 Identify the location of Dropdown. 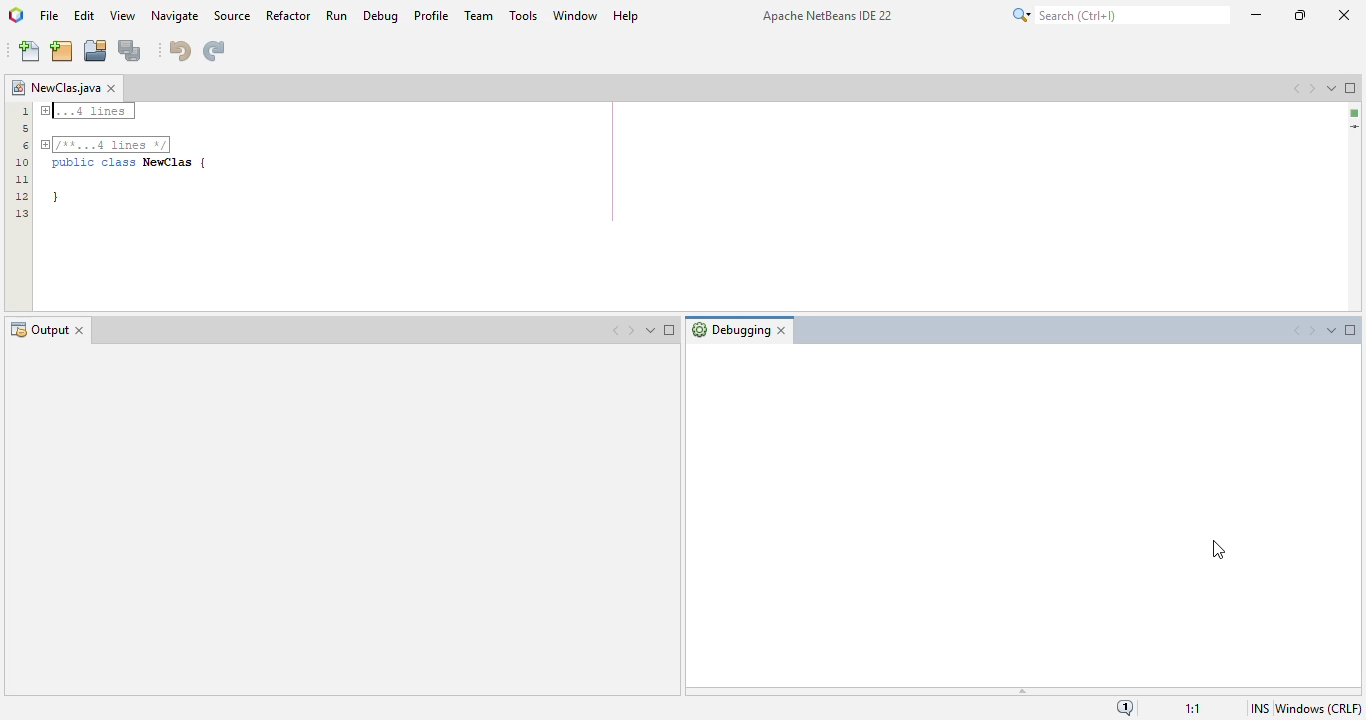
(653, 332).